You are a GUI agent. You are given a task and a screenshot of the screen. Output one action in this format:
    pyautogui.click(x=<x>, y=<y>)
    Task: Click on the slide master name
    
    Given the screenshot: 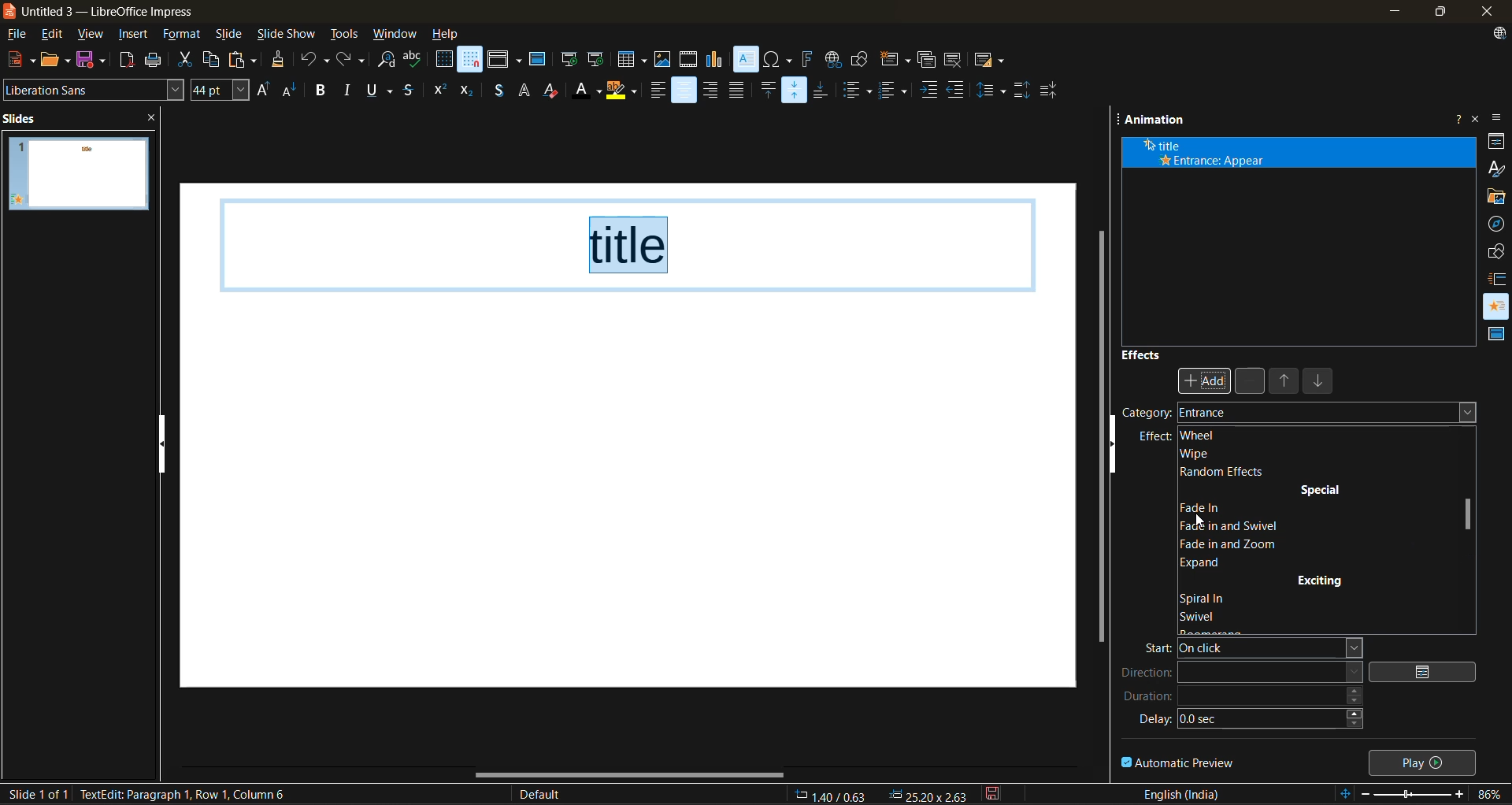 What is the action you would take?
    pyautogui.click(x=549, y=796)
    